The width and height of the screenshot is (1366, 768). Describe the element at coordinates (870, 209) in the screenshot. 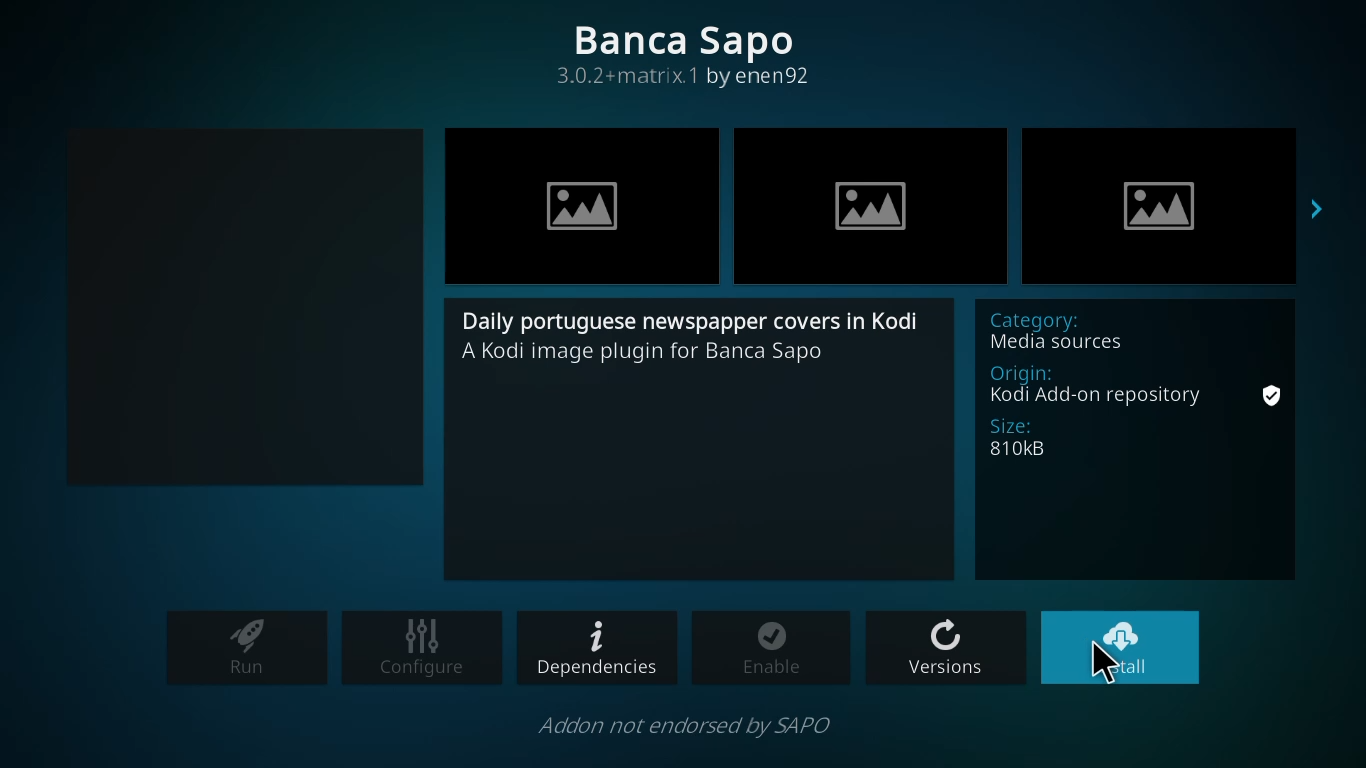

I see `image` at that location.